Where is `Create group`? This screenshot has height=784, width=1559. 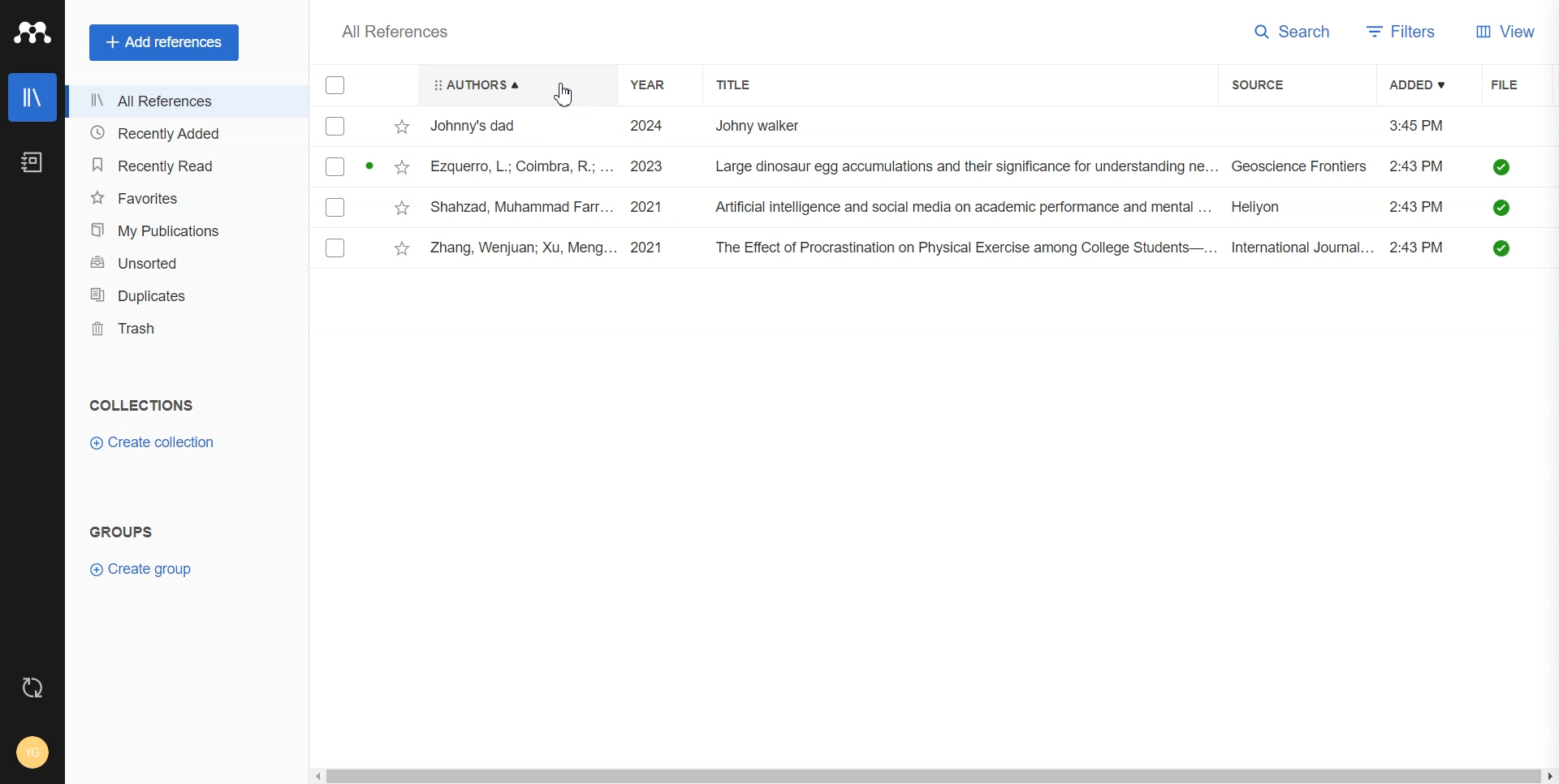
Create group is located at coordinates (149, 571).